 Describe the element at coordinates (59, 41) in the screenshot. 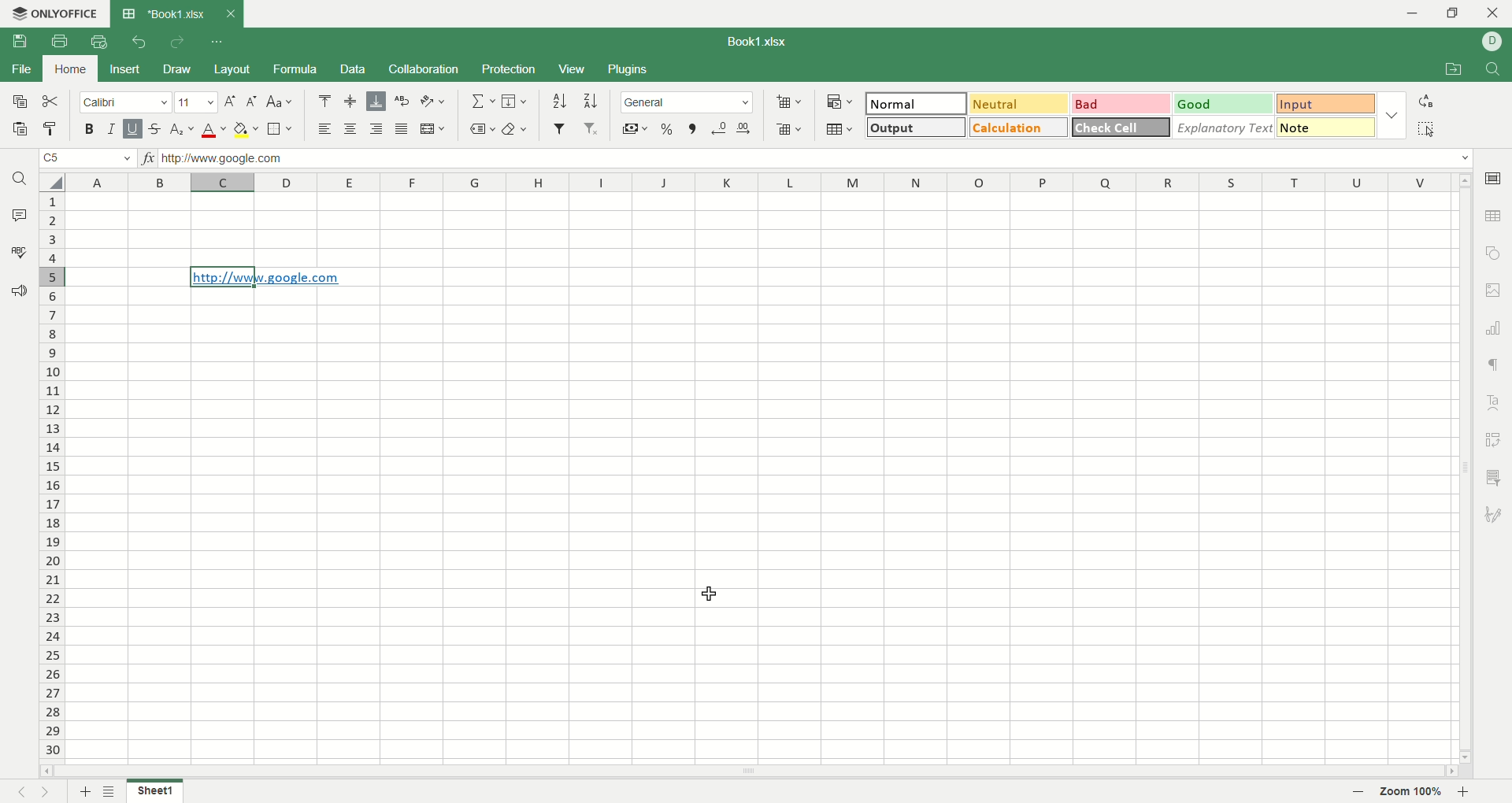

I see `print` at that location.